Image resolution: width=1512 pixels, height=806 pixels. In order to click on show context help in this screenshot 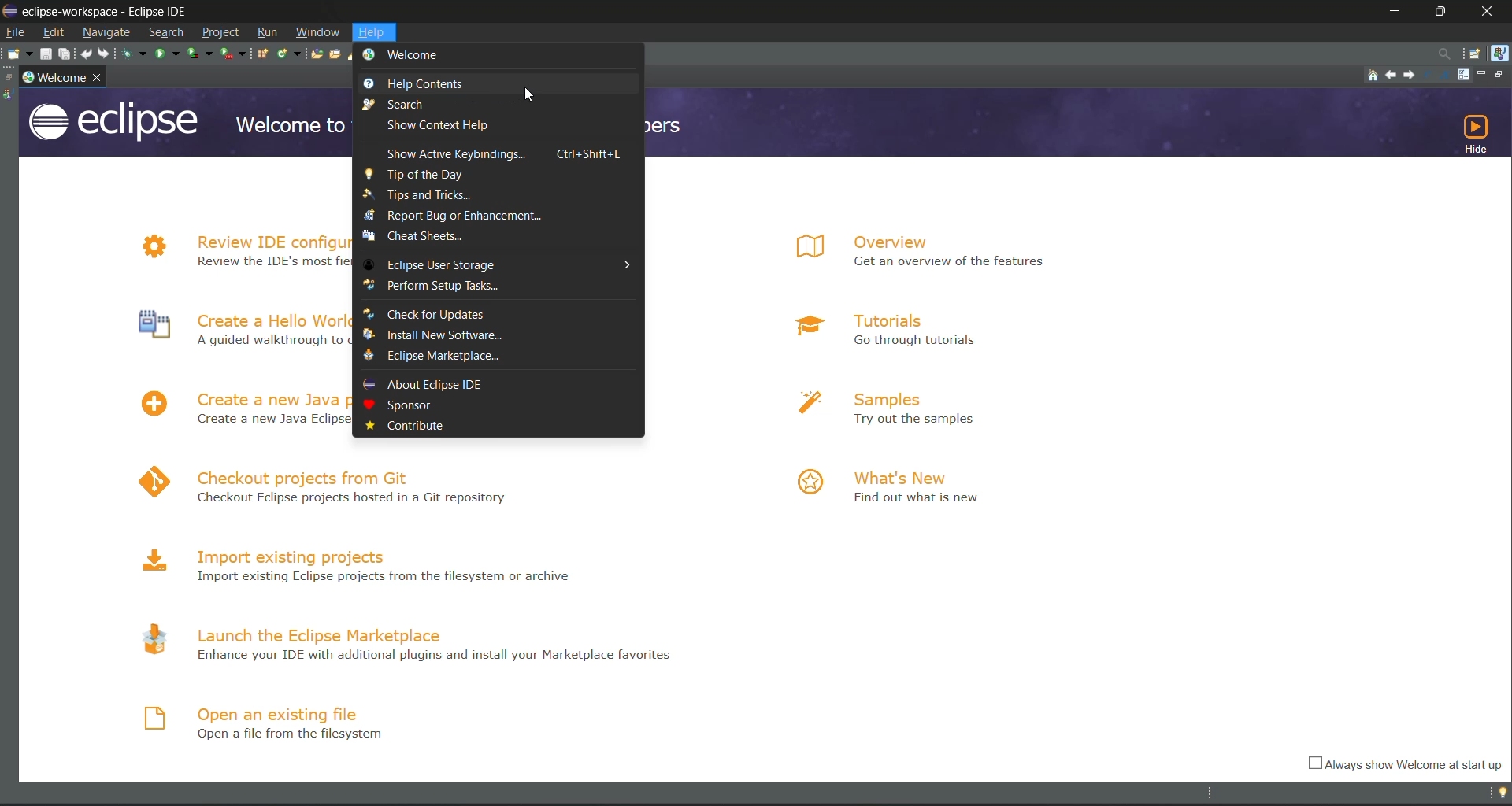, I will do `click(448, 128)`.